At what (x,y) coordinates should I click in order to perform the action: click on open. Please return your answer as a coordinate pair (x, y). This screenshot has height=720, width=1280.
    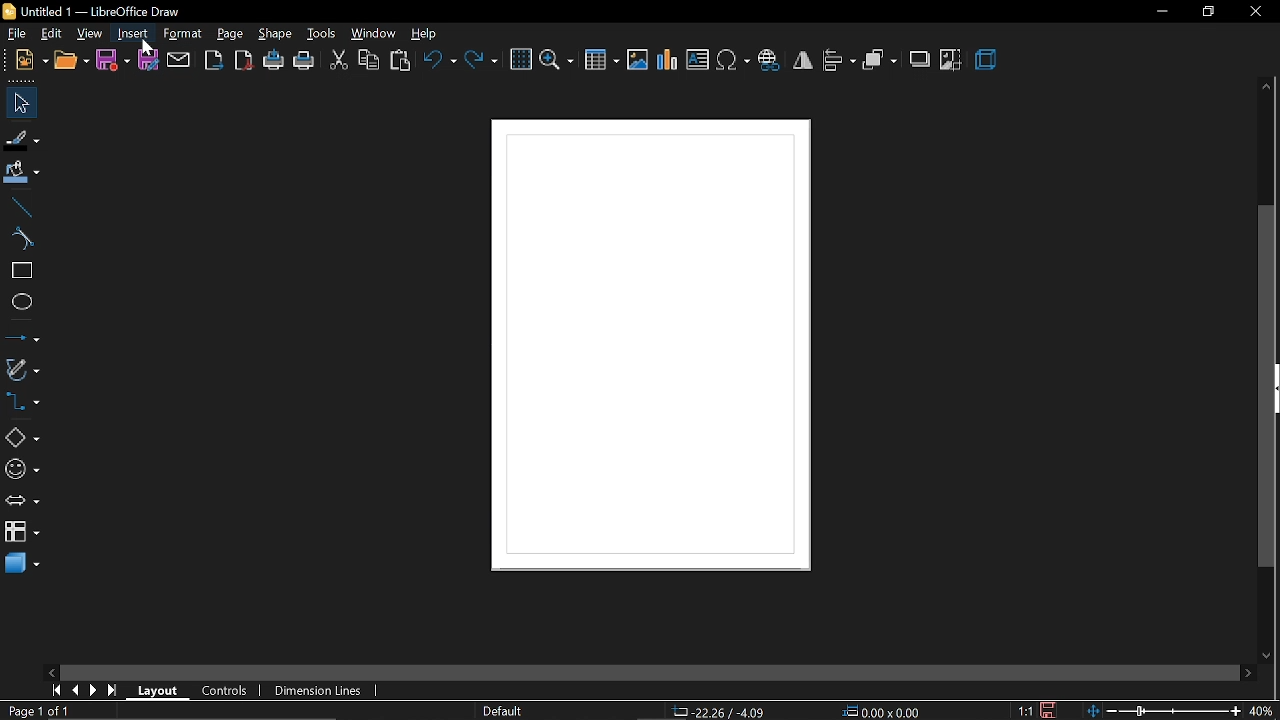
    Looking at the image, I should click on (71, 60).